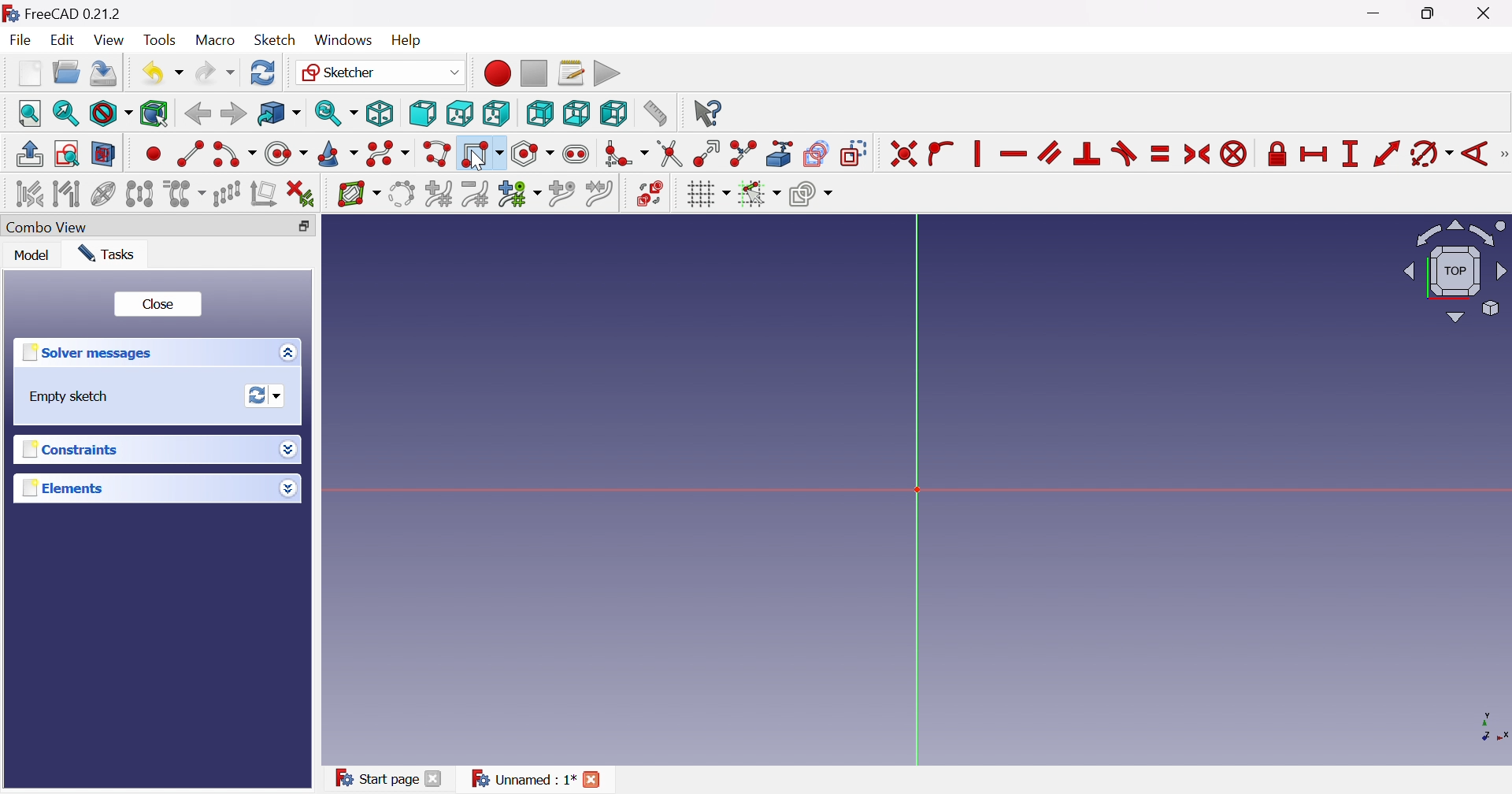 This screenshot has height=794, width=1512. Describe the element at coordinates (67, 193) in the screenshot. I see `Select associated geometry` at that location.